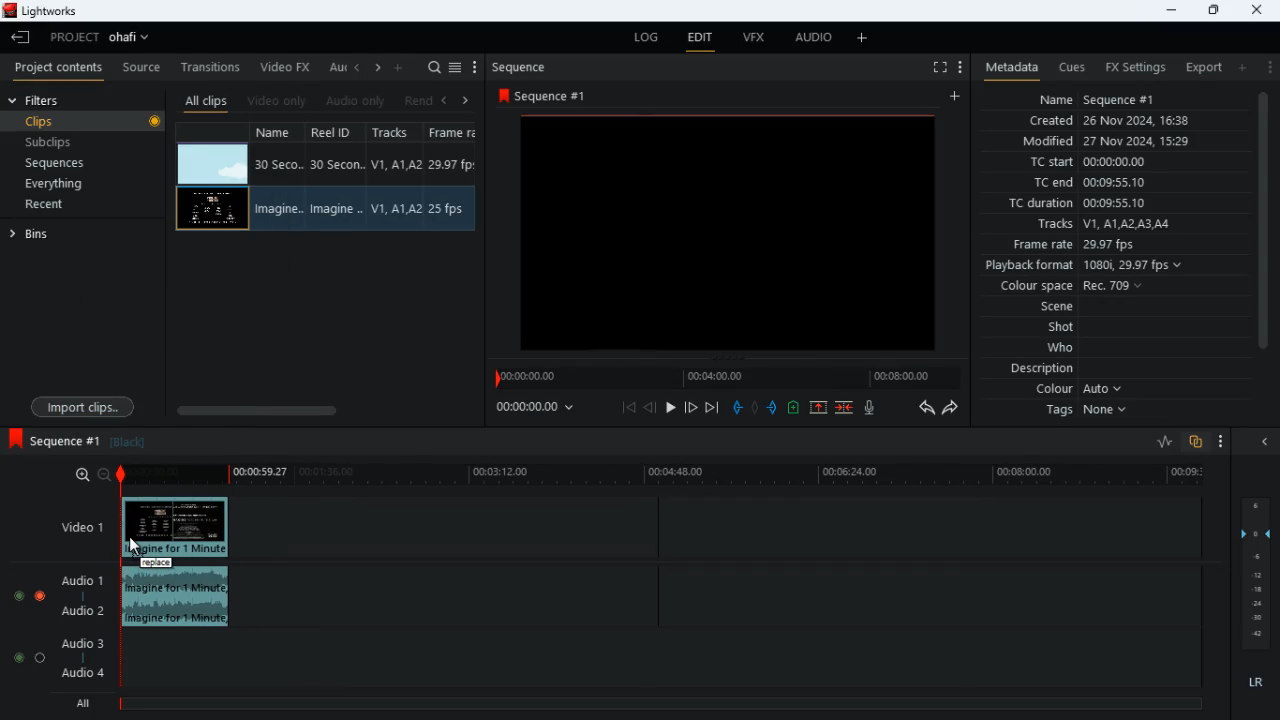 The height and width of the screenshot is (720, 1280). I want to click on video fx, so click(286, 68).